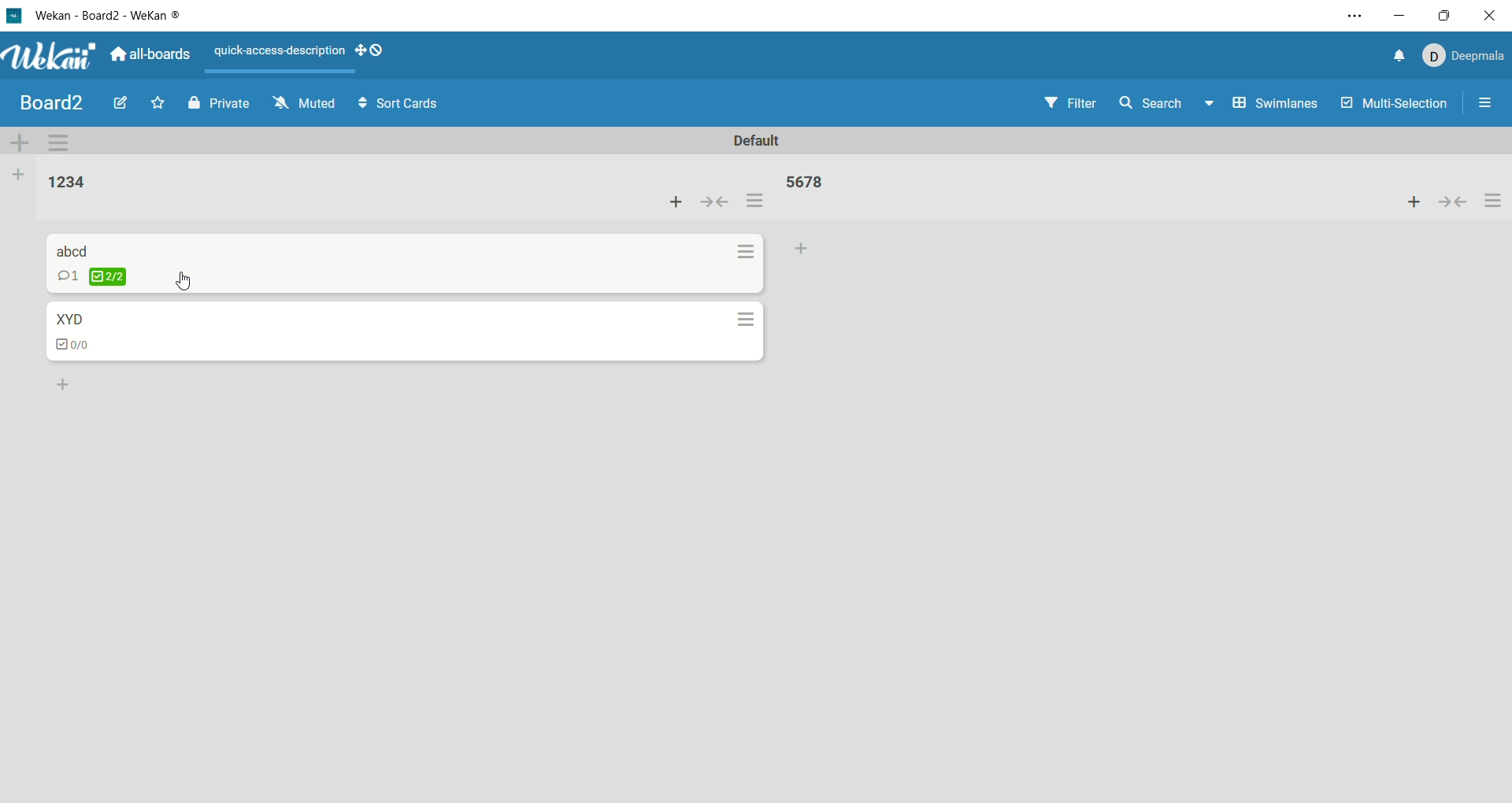 Image resolution: width=1512 pixels, height=803 pixels. What do you see at coordinates (1277, 105) in the screenshot?
I see `swimlanes` at bounding box center [1277, 105].